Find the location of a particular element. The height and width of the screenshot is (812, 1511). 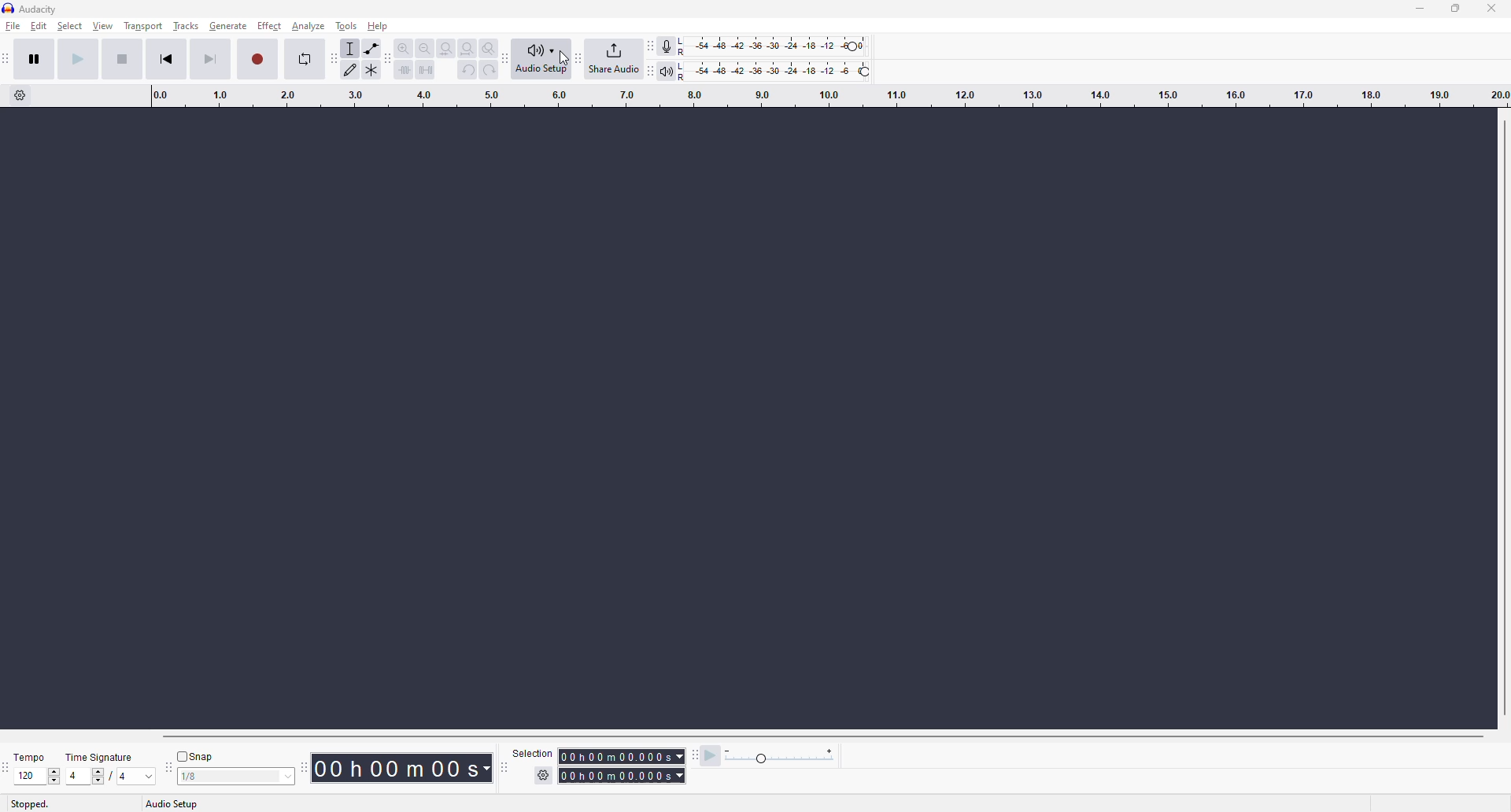

maximize is located at coordinates (1457, 9).